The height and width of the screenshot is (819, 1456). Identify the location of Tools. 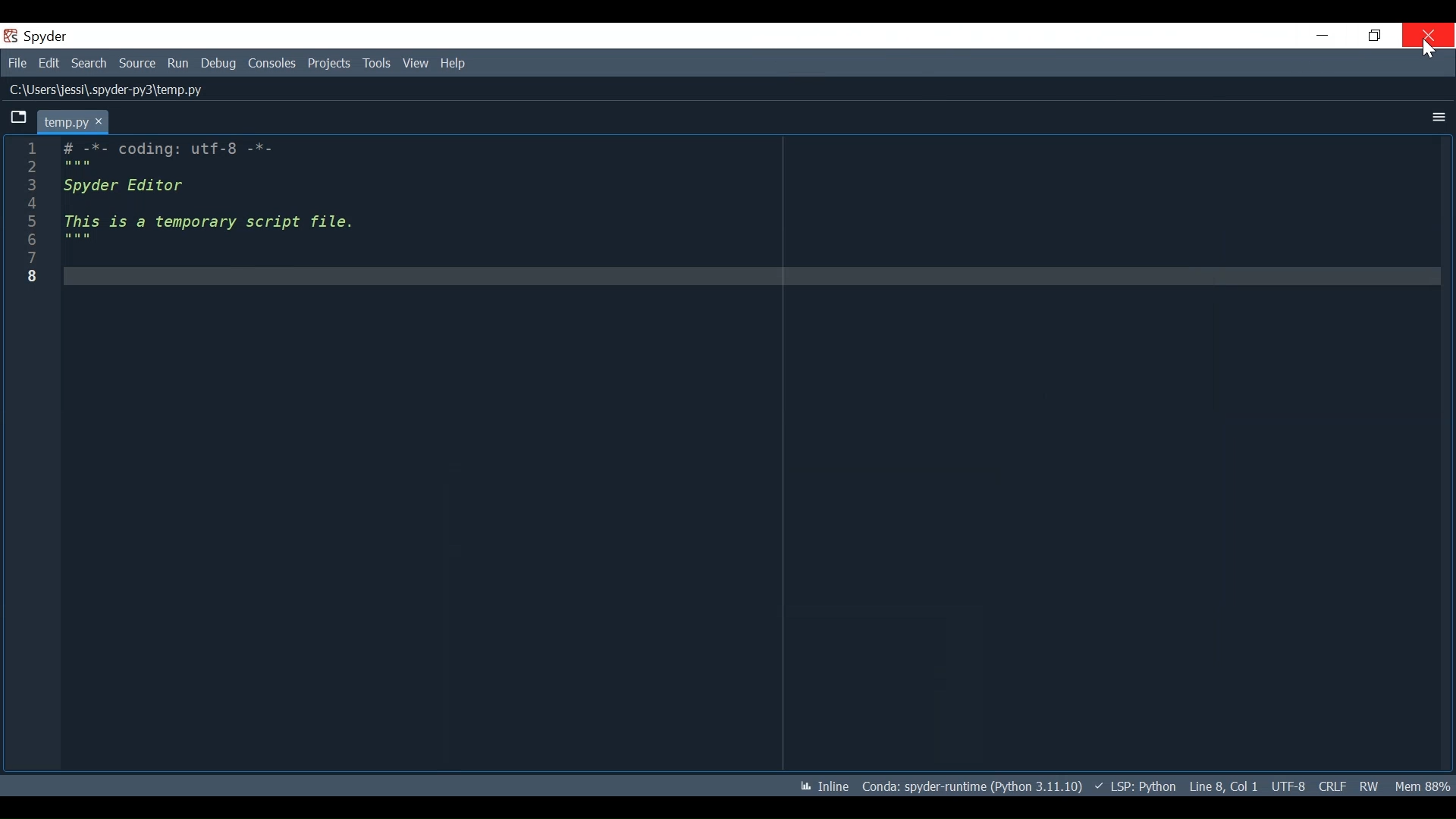
(376, 64).